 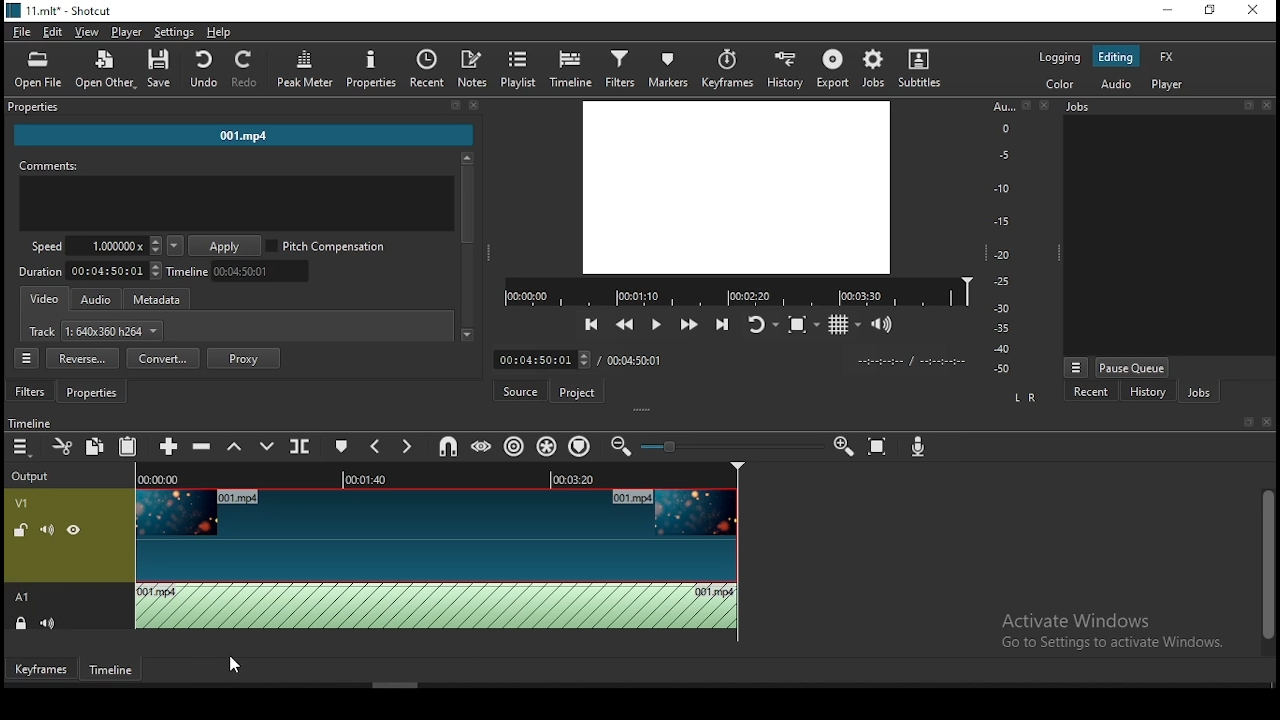 I want to click on audio, so click(x=95, y=300).